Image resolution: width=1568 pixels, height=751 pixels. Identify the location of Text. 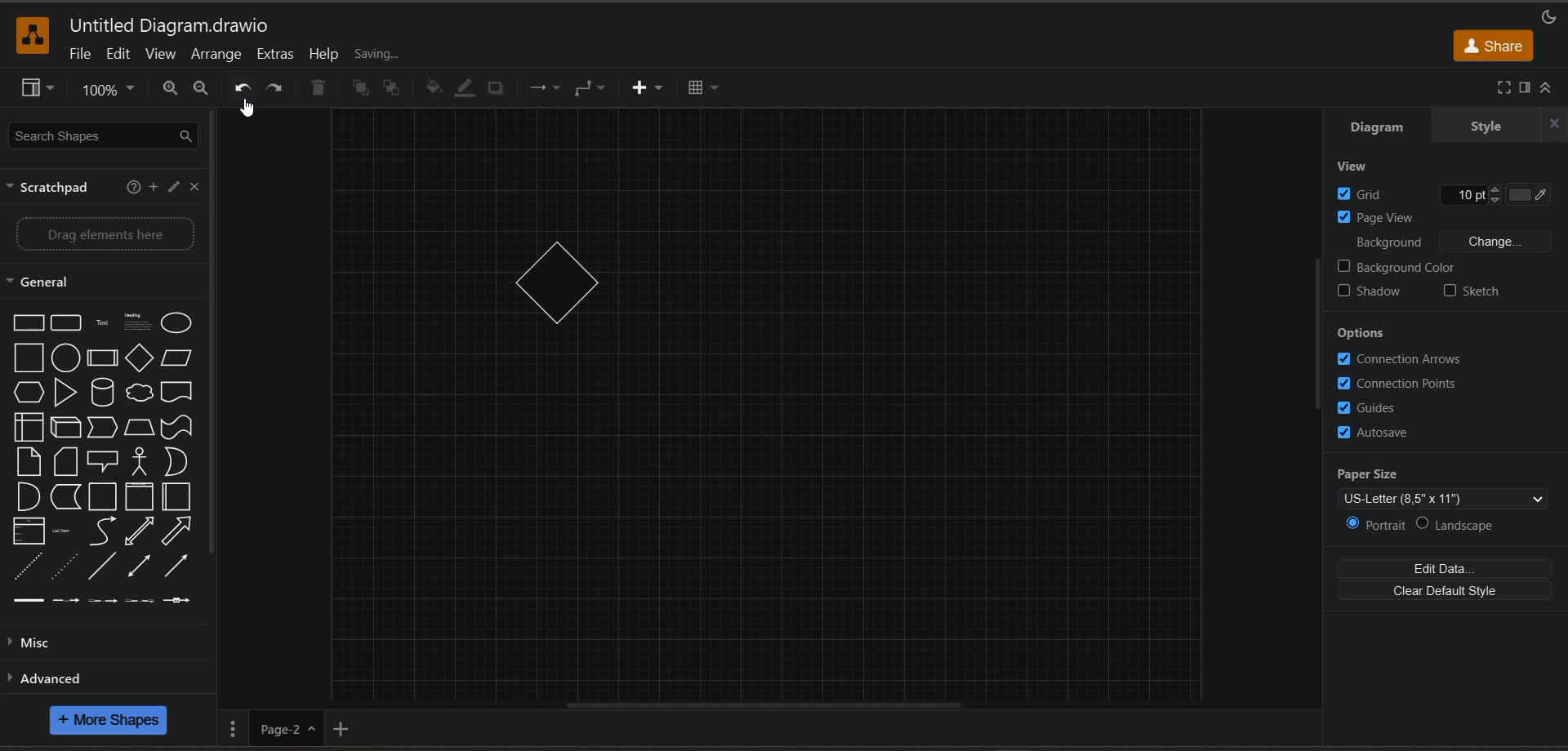
(102, 322).